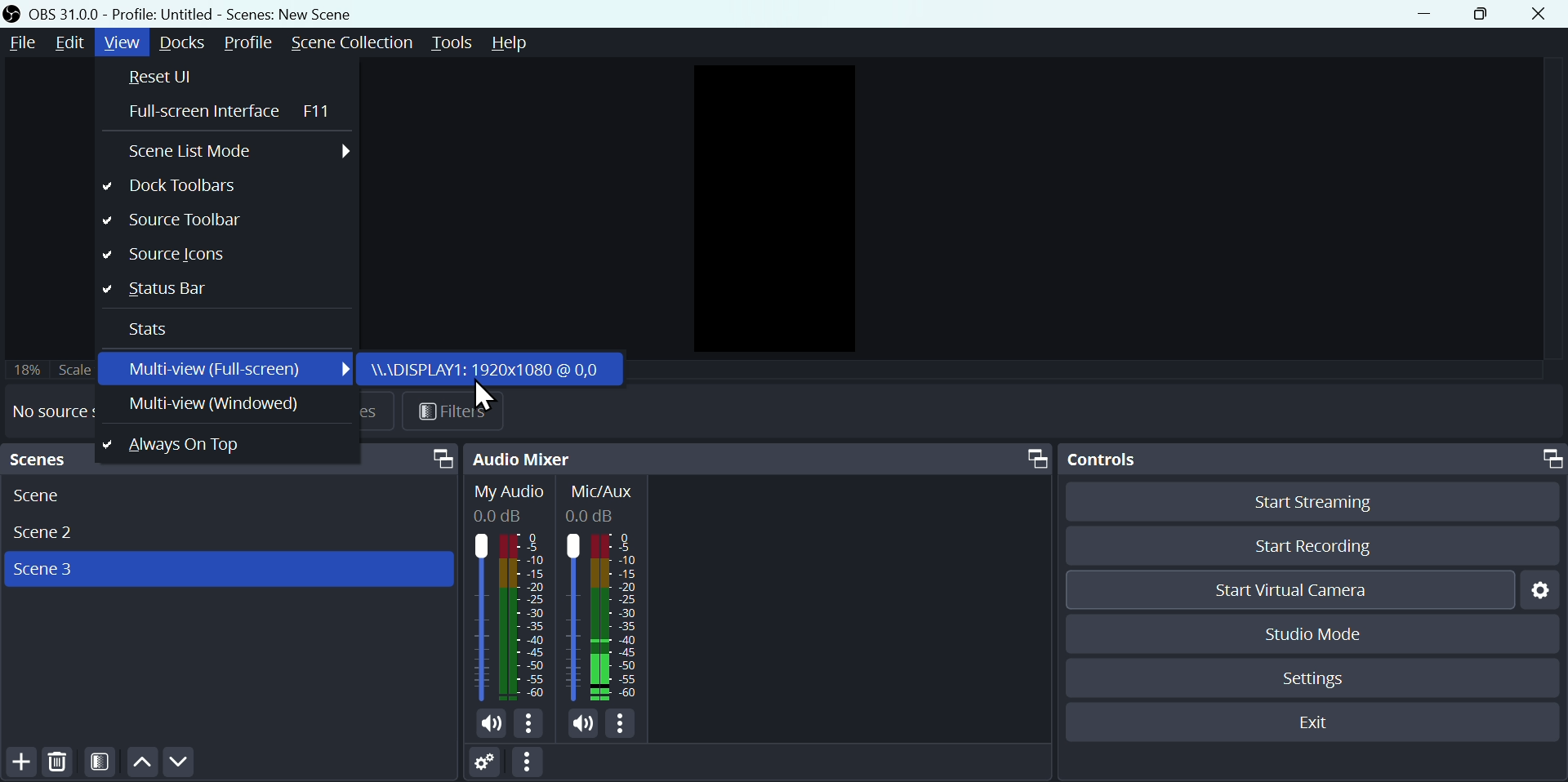 The width and height of the screenshot is (1568, 782). I want to click on (un)mute, so click(583, 724).